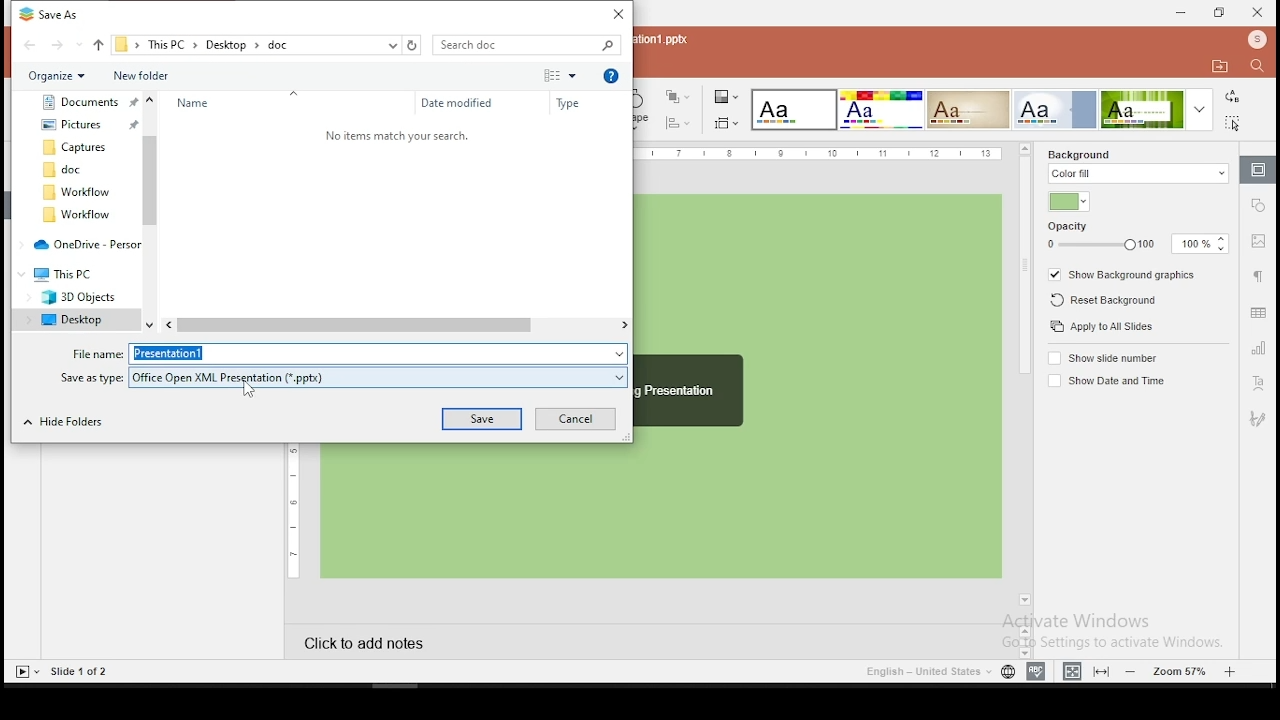 This screenshot has height=720, width=1280. I want to click on cursor, so click(252, 391).